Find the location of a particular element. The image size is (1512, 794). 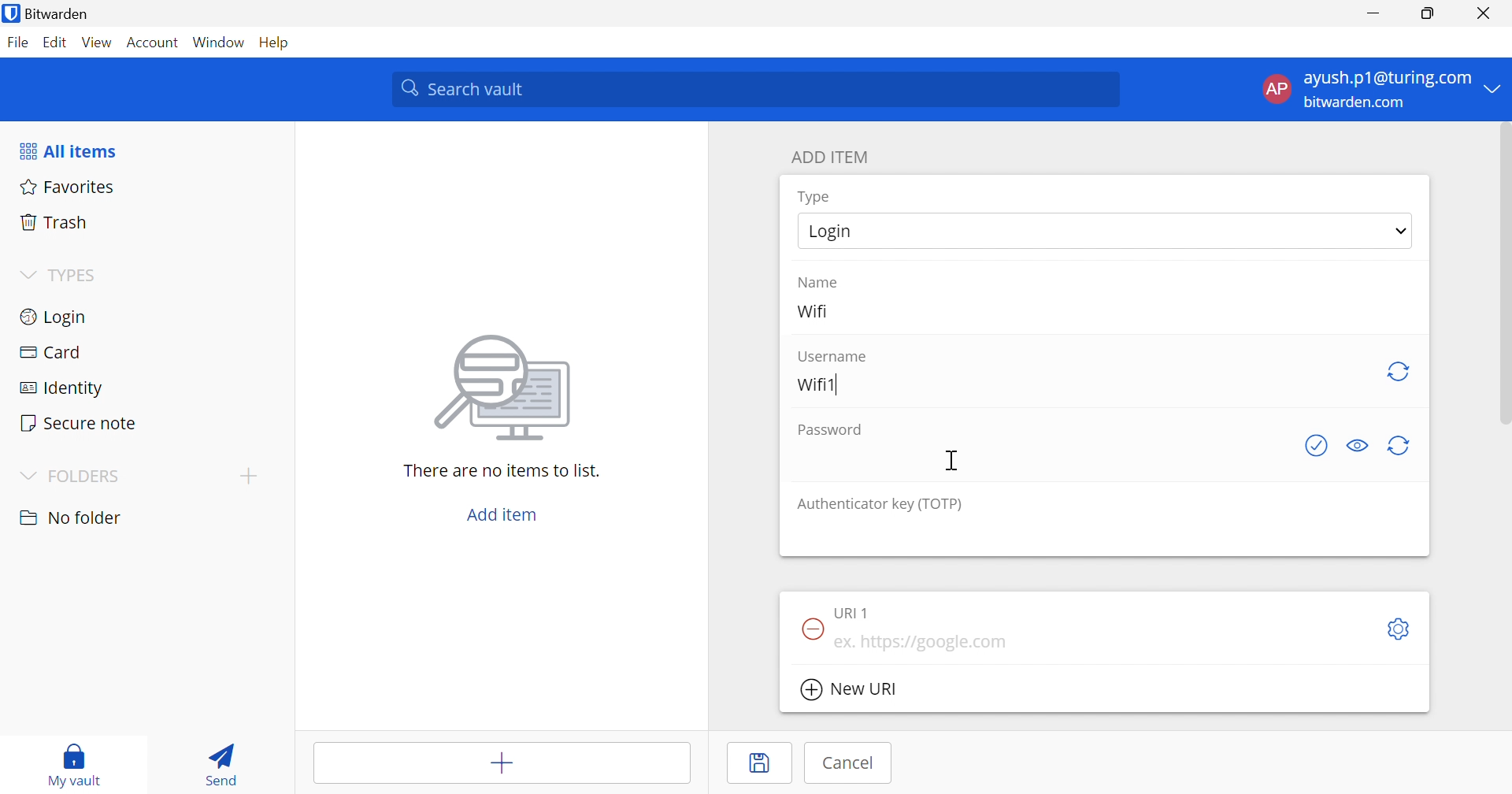

Edit is located at coordinates (54, 43).